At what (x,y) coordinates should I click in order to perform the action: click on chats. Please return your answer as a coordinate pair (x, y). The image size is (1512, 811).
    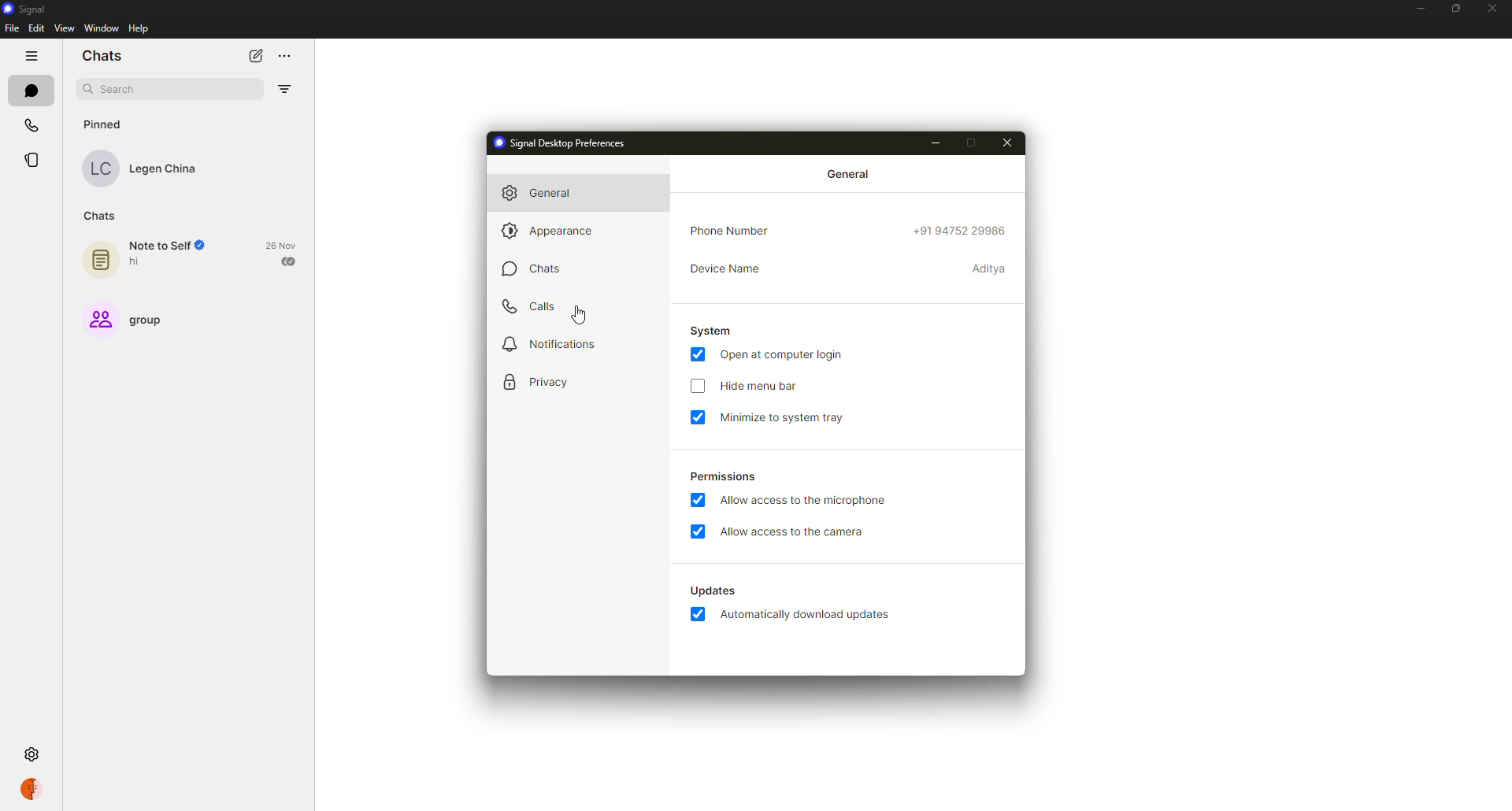
    Looking at the image, I should click on (529, 268).